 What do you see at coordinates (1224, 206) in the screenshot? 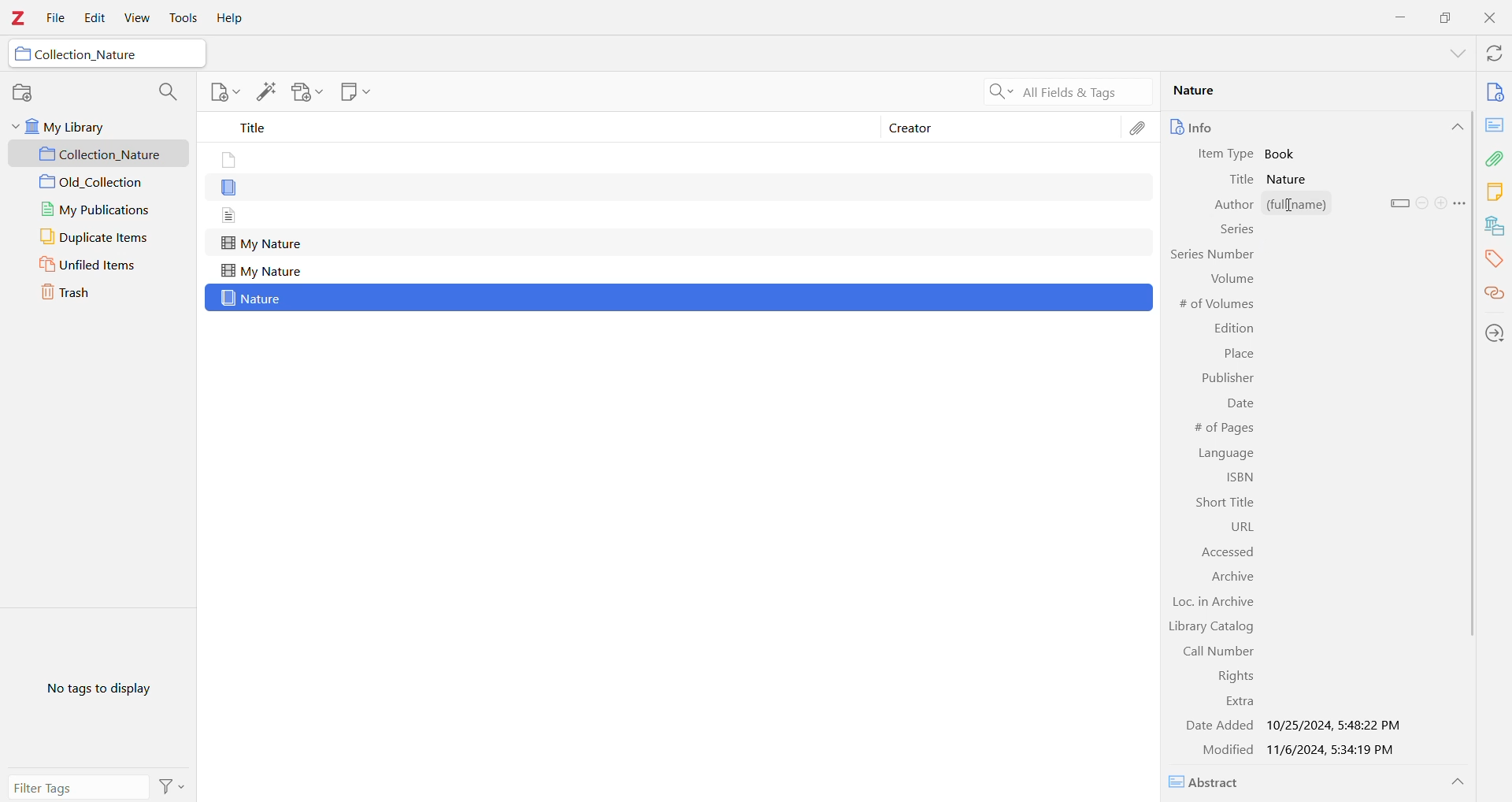
I see `Author` at bounding box center [1224, 206].